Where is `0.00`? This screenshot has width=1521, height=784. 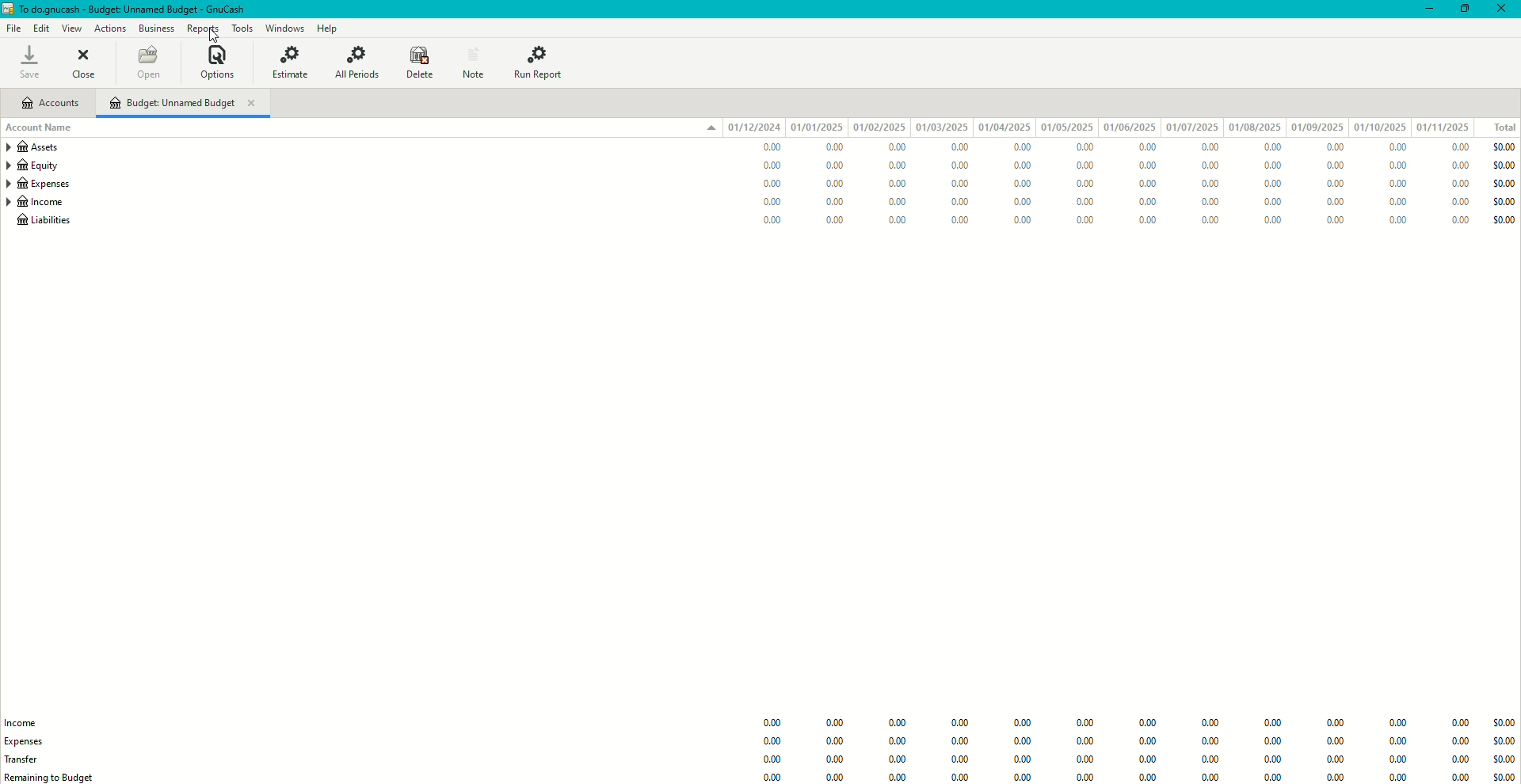
0.00 is located at coordinates (1271, 778).